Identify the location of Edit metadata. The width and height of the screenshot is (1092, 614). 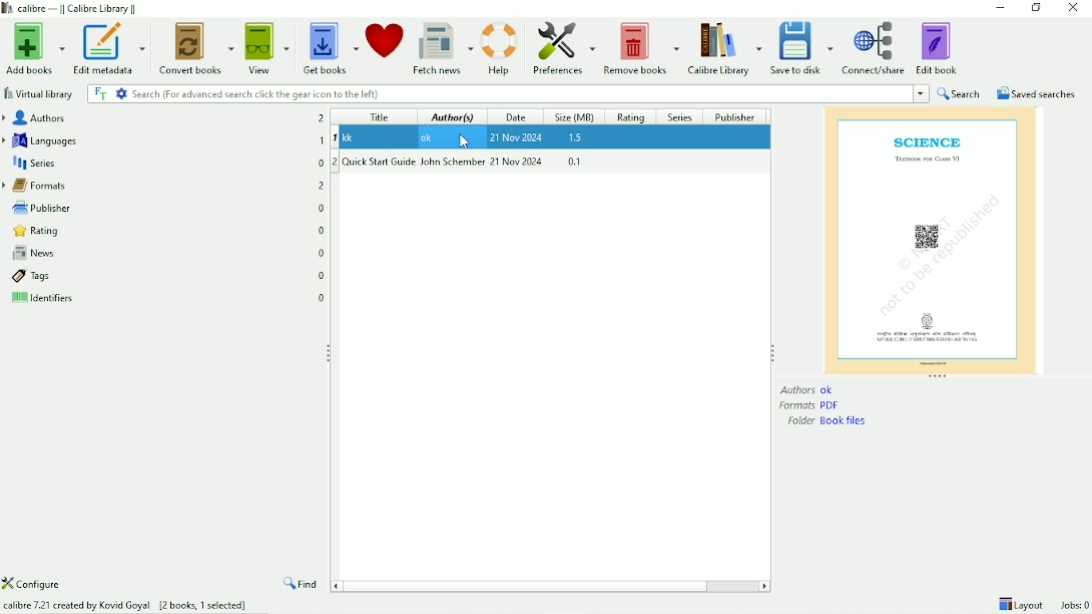
(110, 49).